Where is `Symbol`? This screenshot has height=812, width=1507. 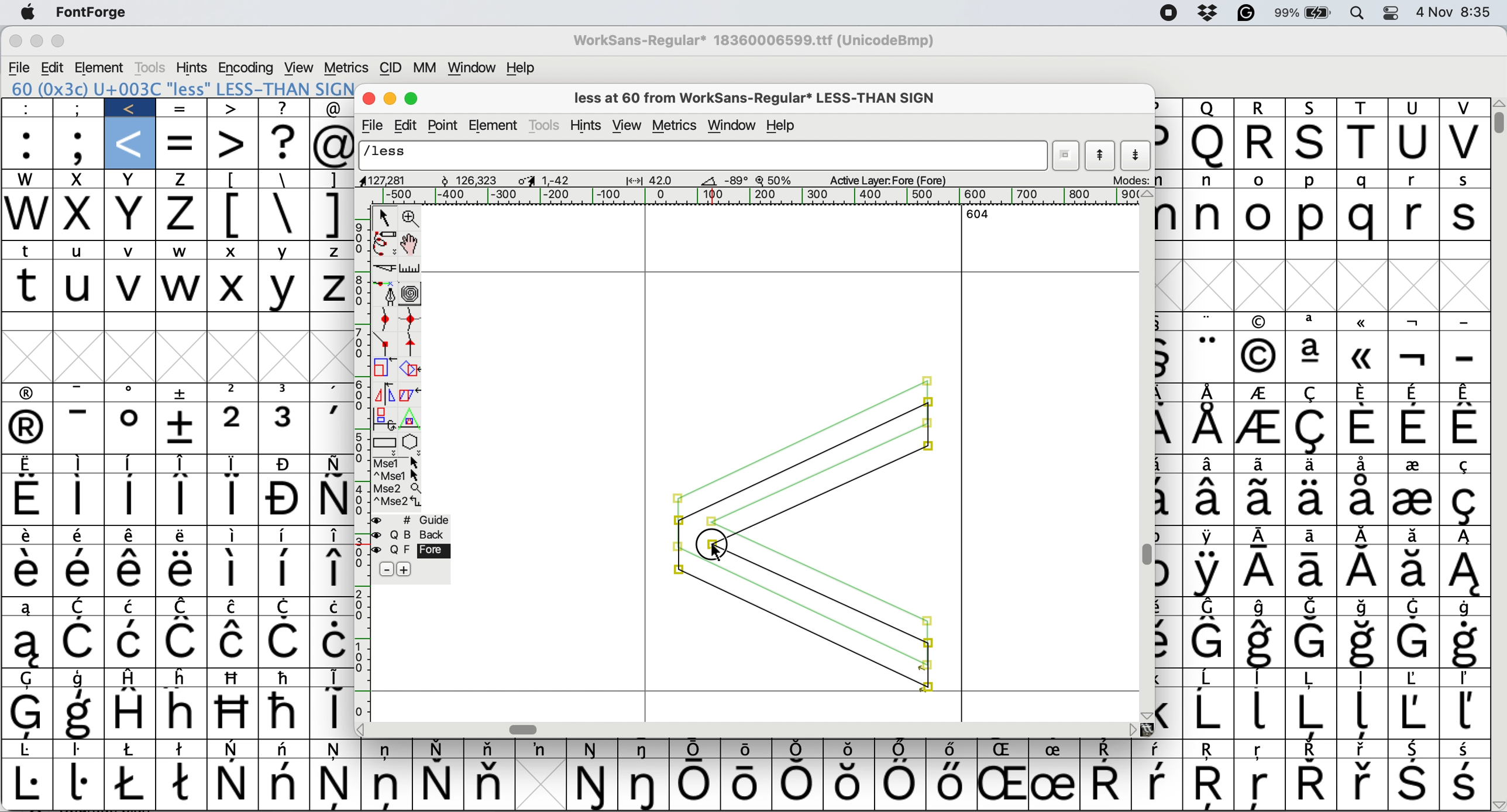
Symbol is located at coordinates (1169, 357).